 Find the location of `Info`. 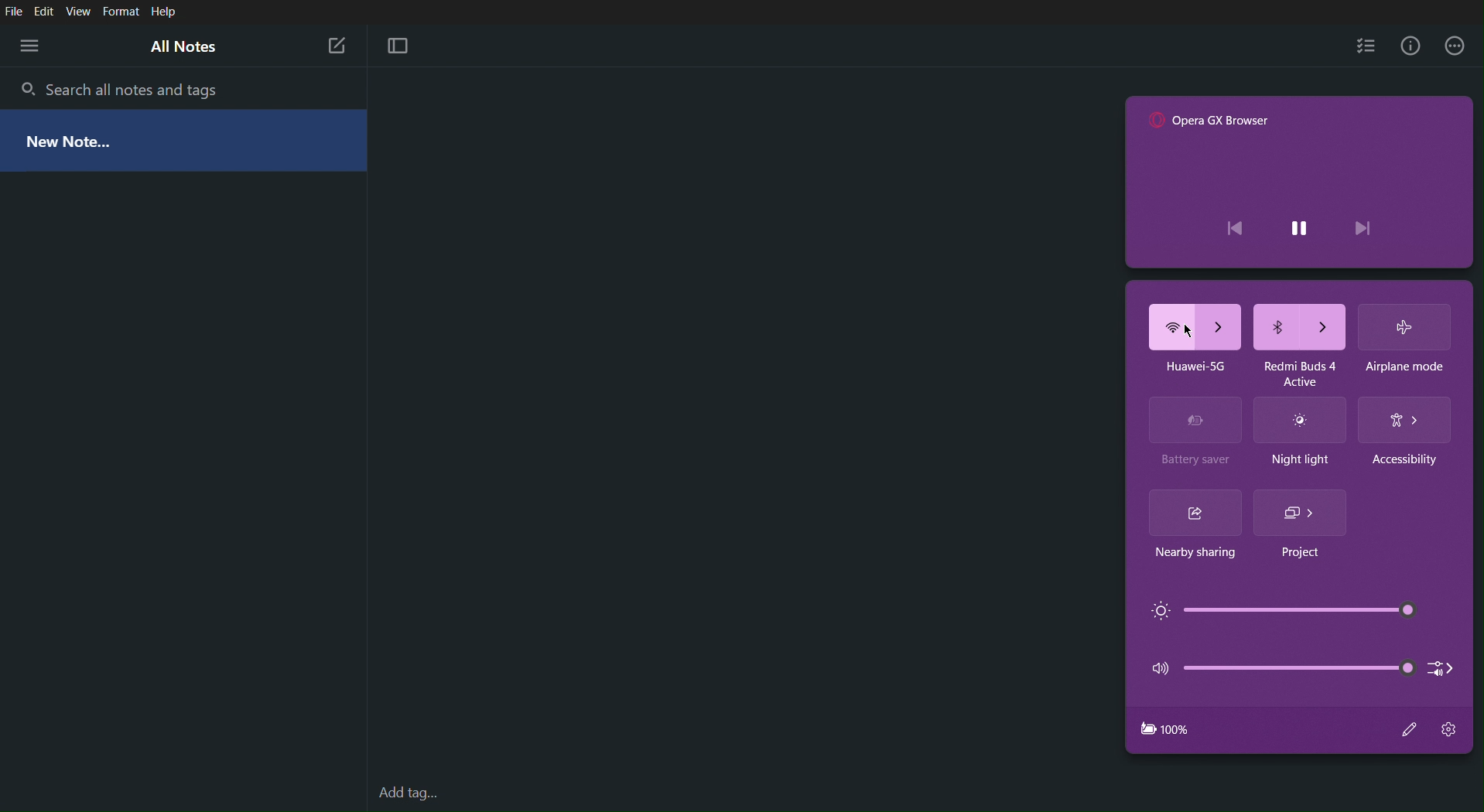

Info is located at coordinates (1407, 46).